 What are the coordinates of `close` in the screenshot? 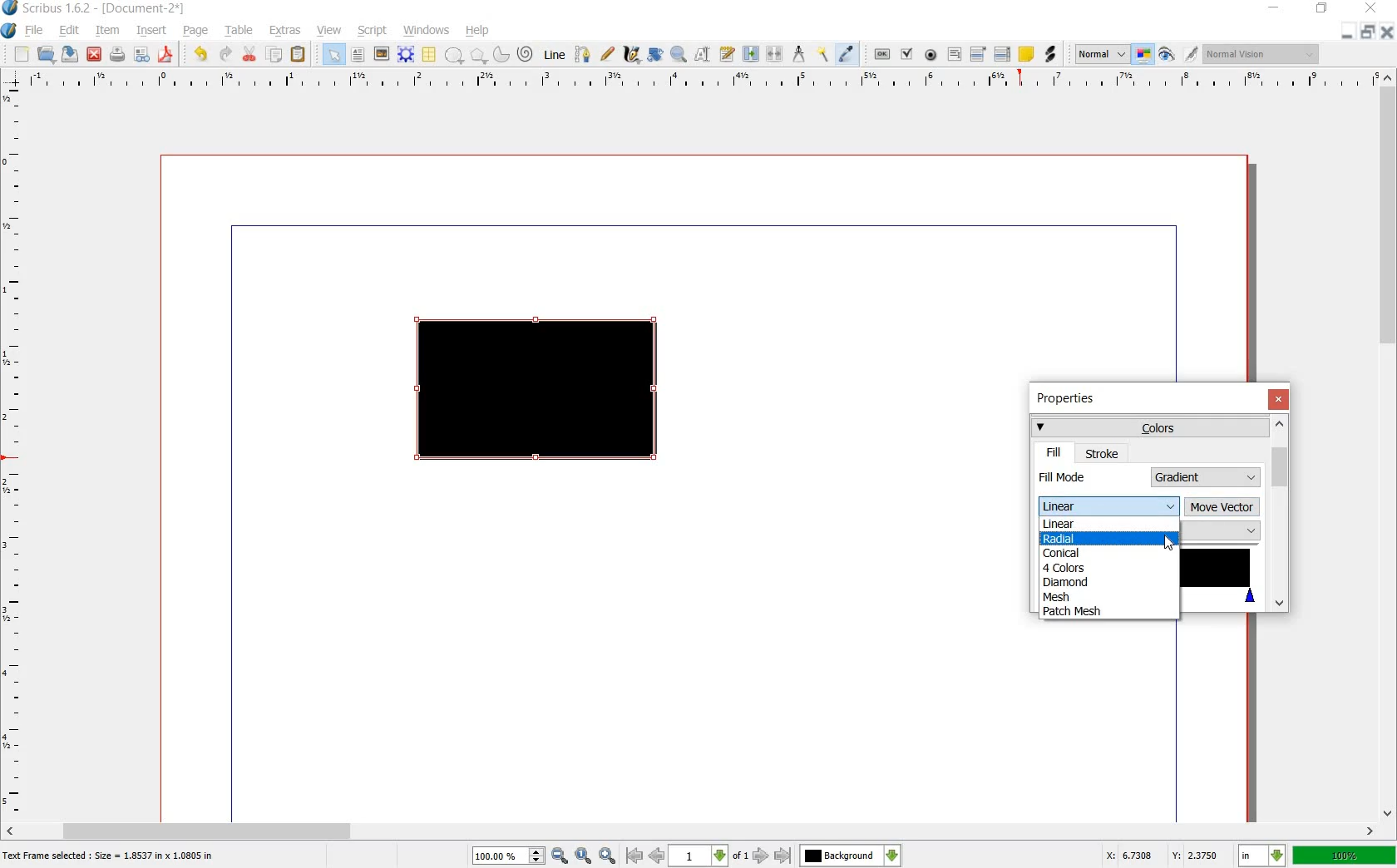 It's located at (1374, 7).